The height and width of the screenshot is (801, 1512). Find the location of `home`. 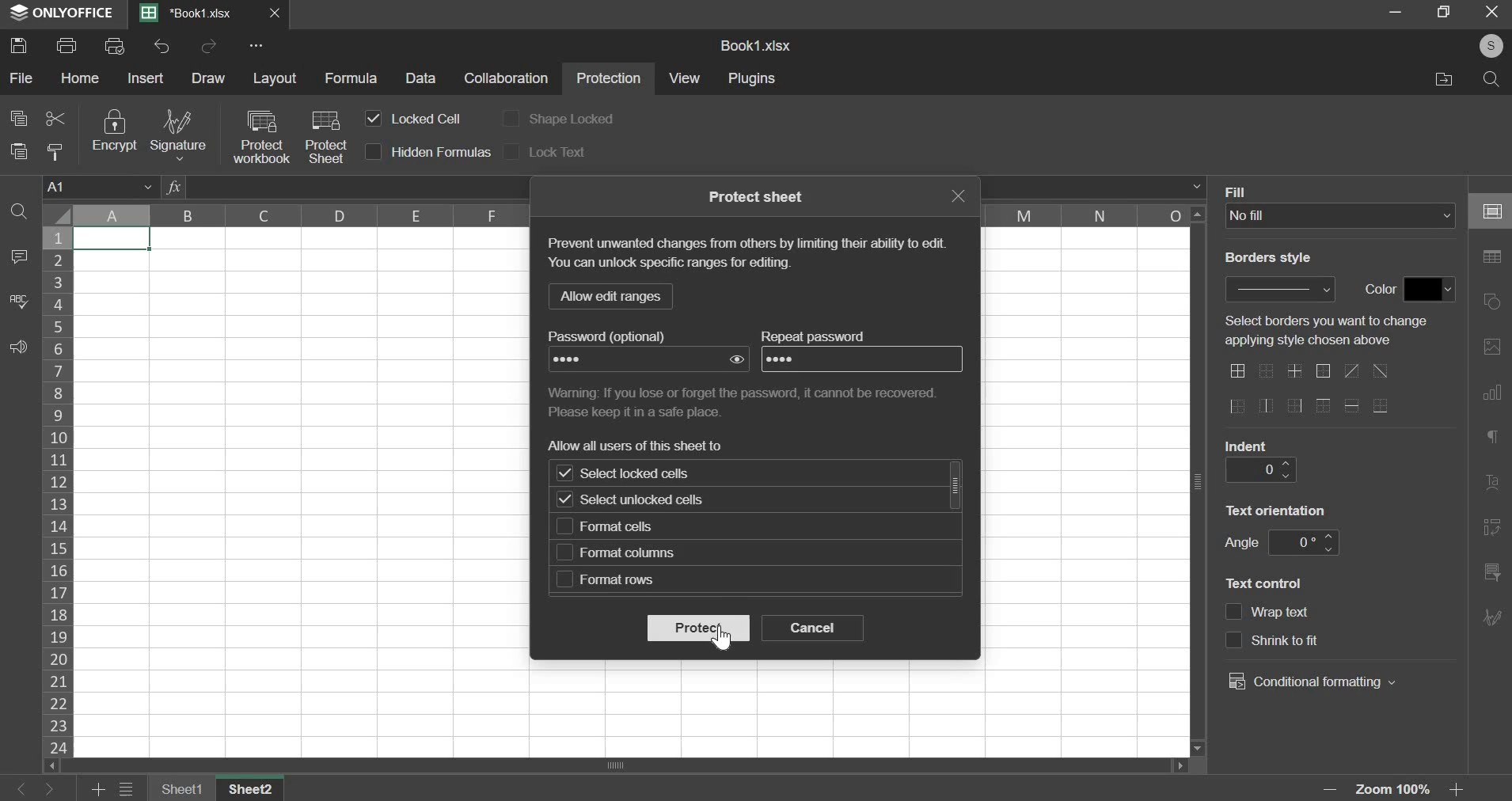

home is located at coordinates (81, 78).